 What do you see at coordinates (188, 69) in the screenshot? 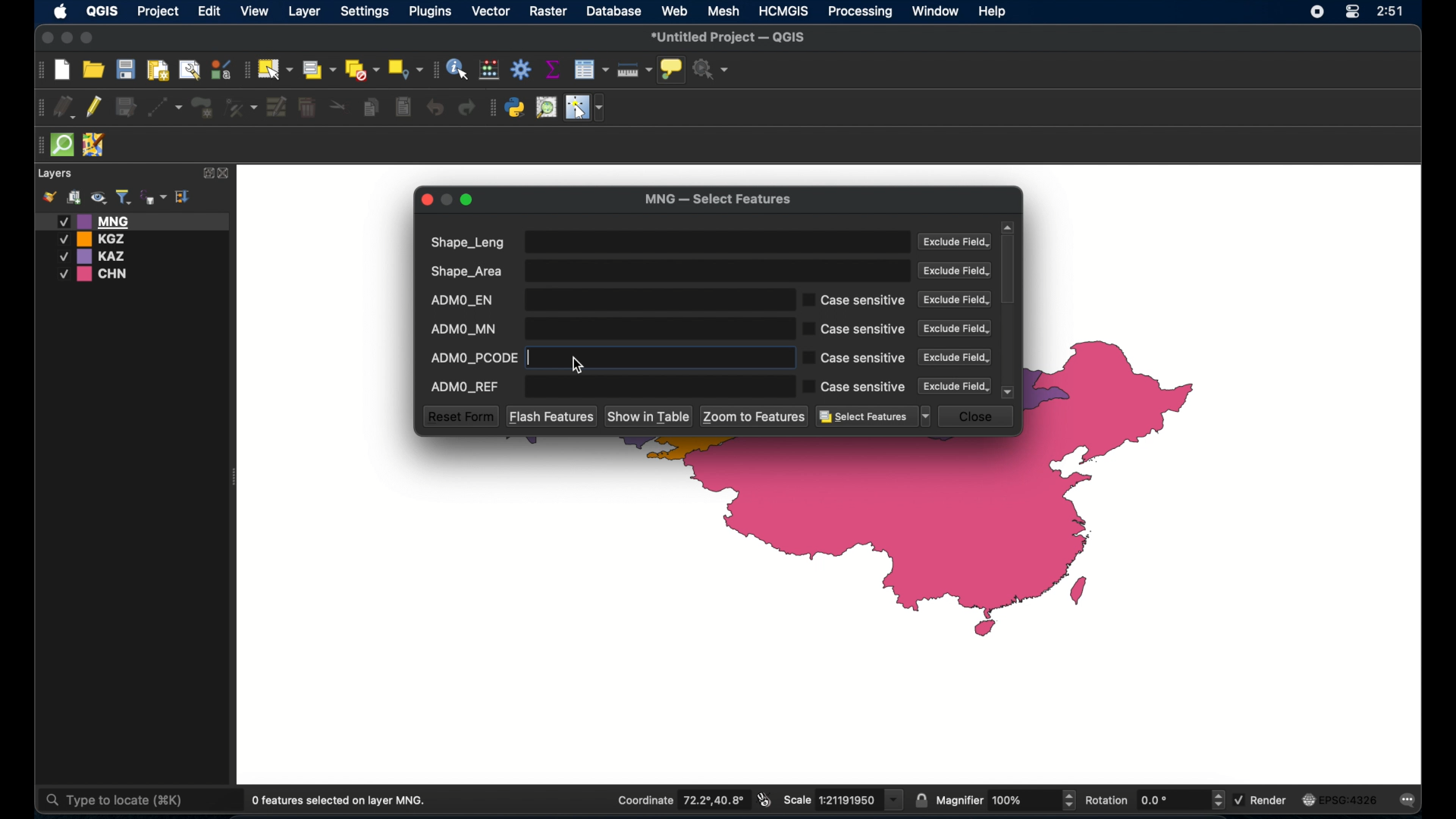
I see `open layout manager` at bounding box center [188, 69].